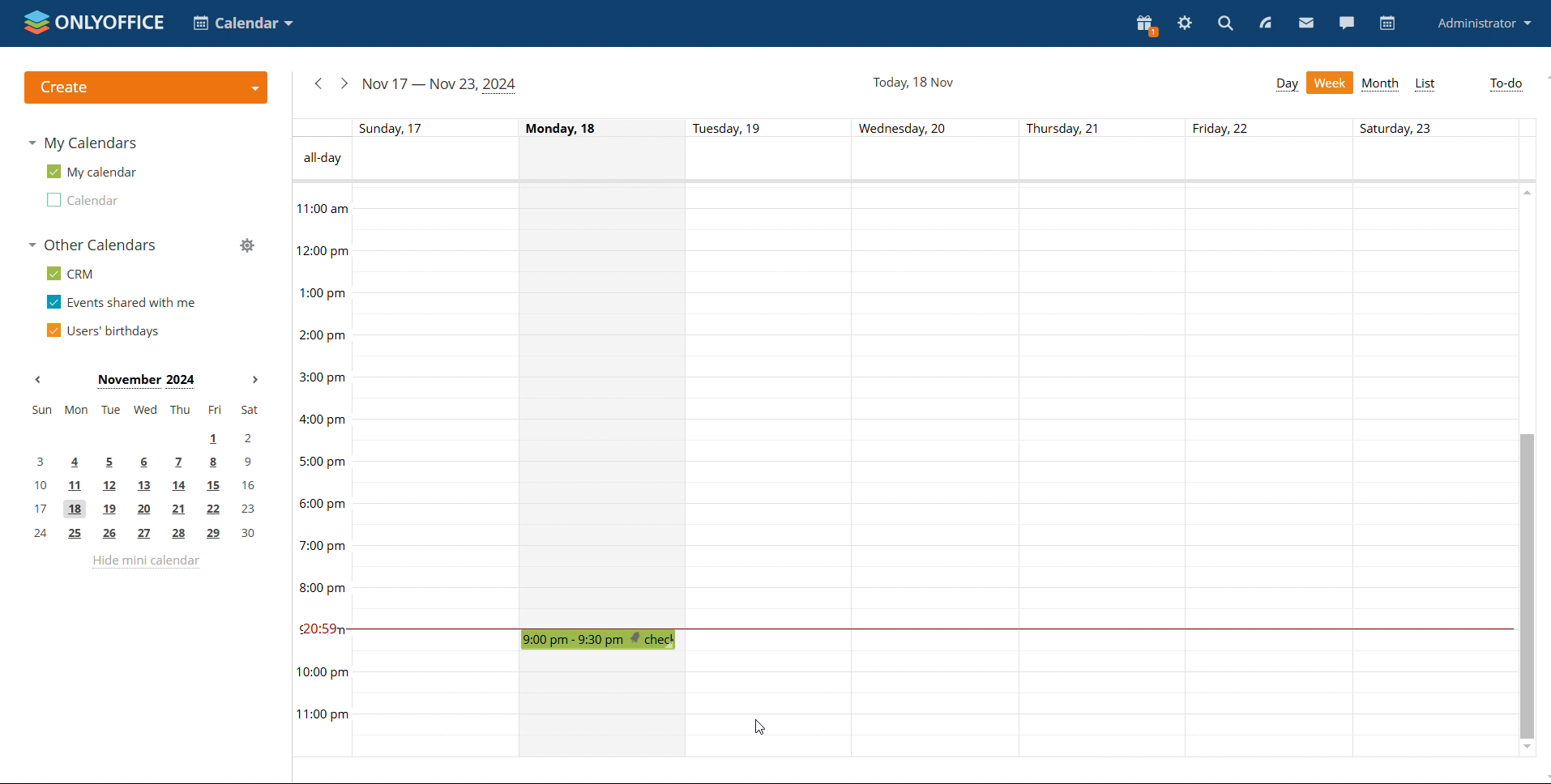  Describe the element at coordinates (1506, 84) in the screenshot. I see `to-do` at that location.